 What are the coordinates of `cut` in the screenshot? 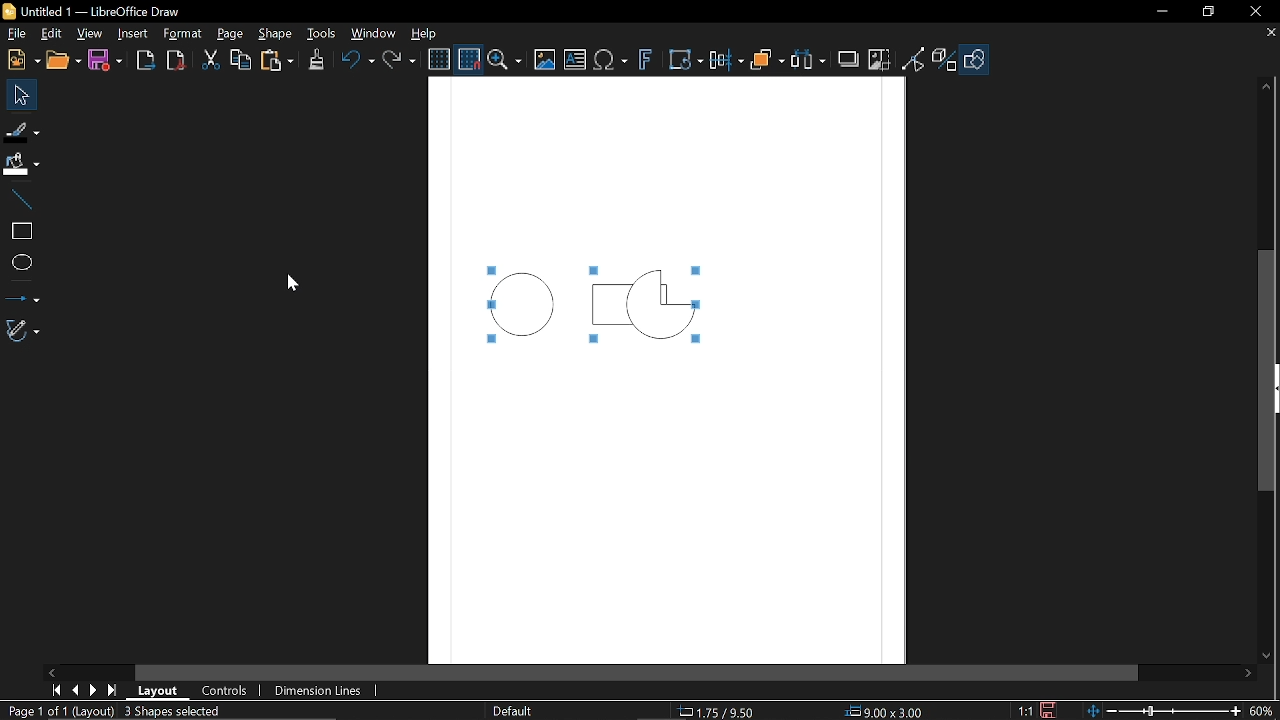 It's located at (210, 59).